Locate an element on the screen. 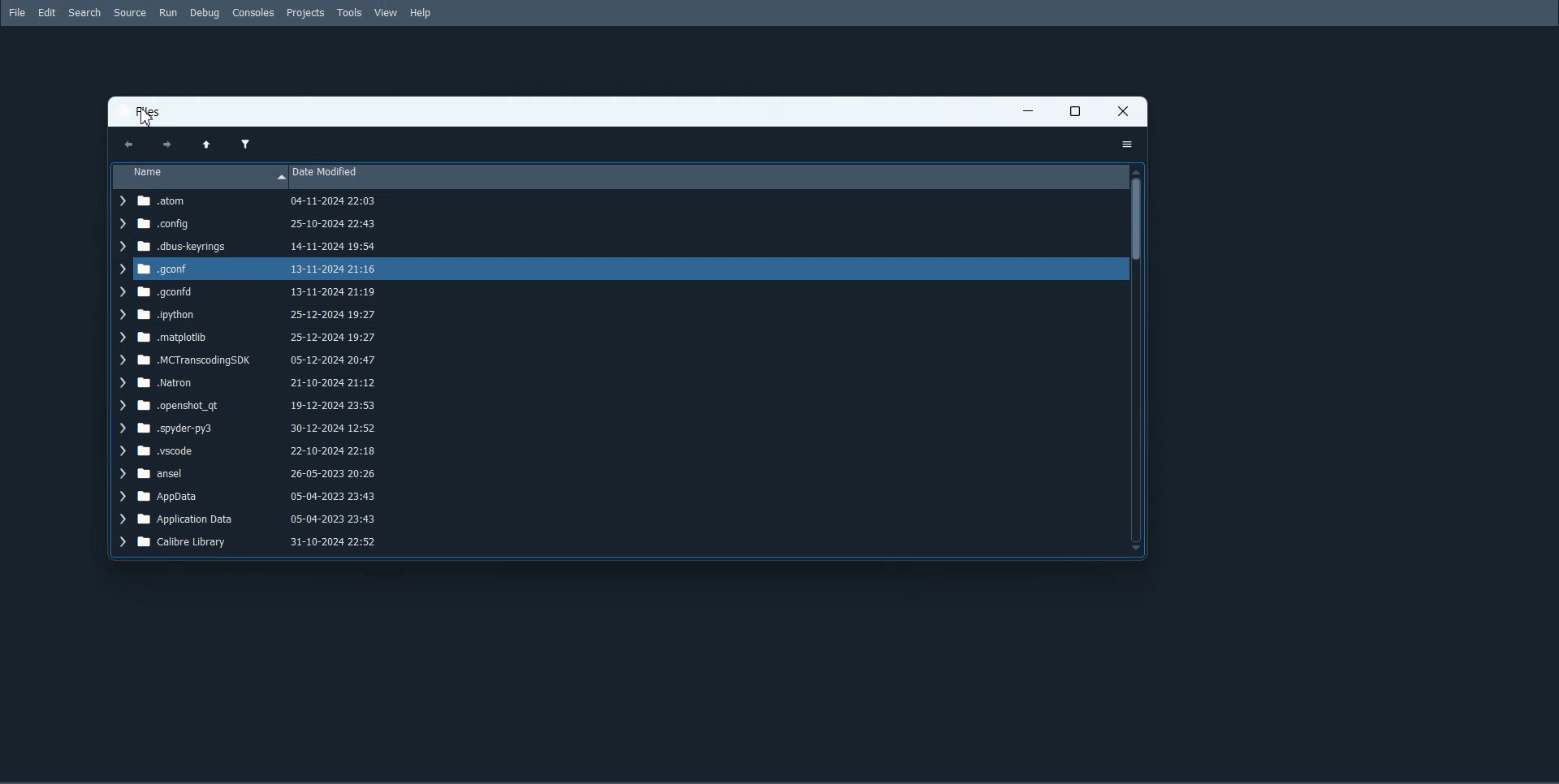 Image resolution: width=1559 pixels, height=784 pixels. .dbus-keyrings 14-11-2024 19:54 is located at coordinates (251, 247).